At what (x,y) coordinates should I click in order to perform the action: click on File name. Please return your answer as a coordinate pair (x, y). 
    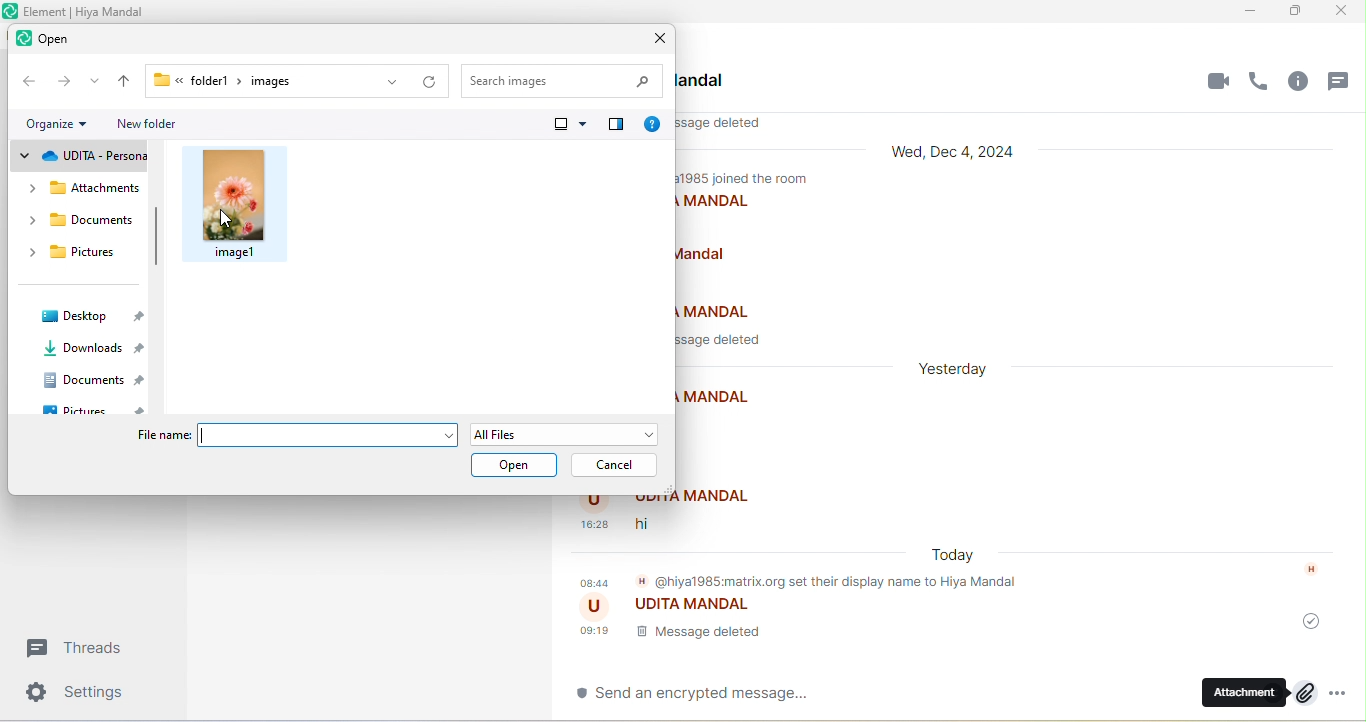
    Looking at the image, I should click on (163, 436).